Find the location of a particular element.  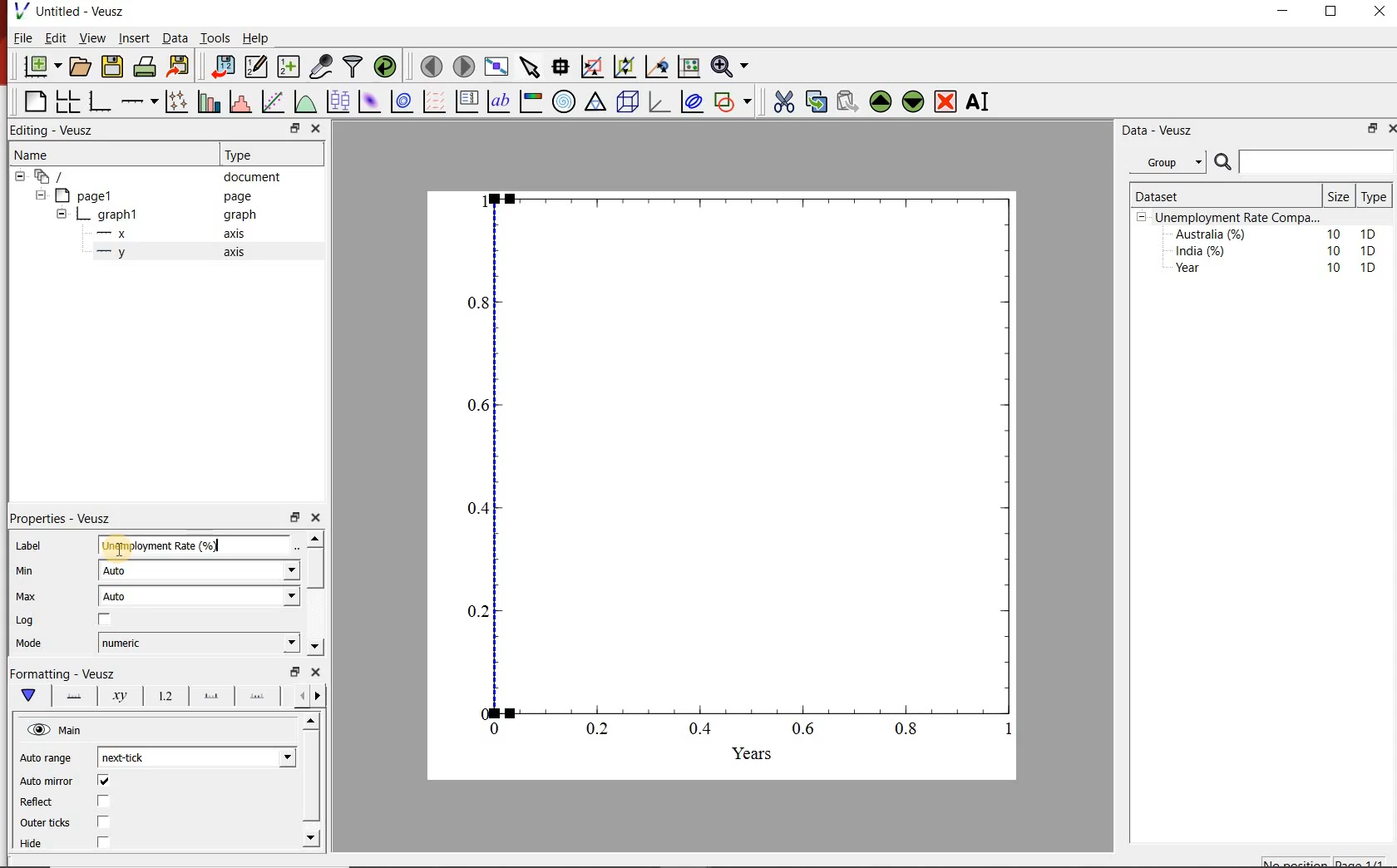

Auto is located at coordinates (200, 570).